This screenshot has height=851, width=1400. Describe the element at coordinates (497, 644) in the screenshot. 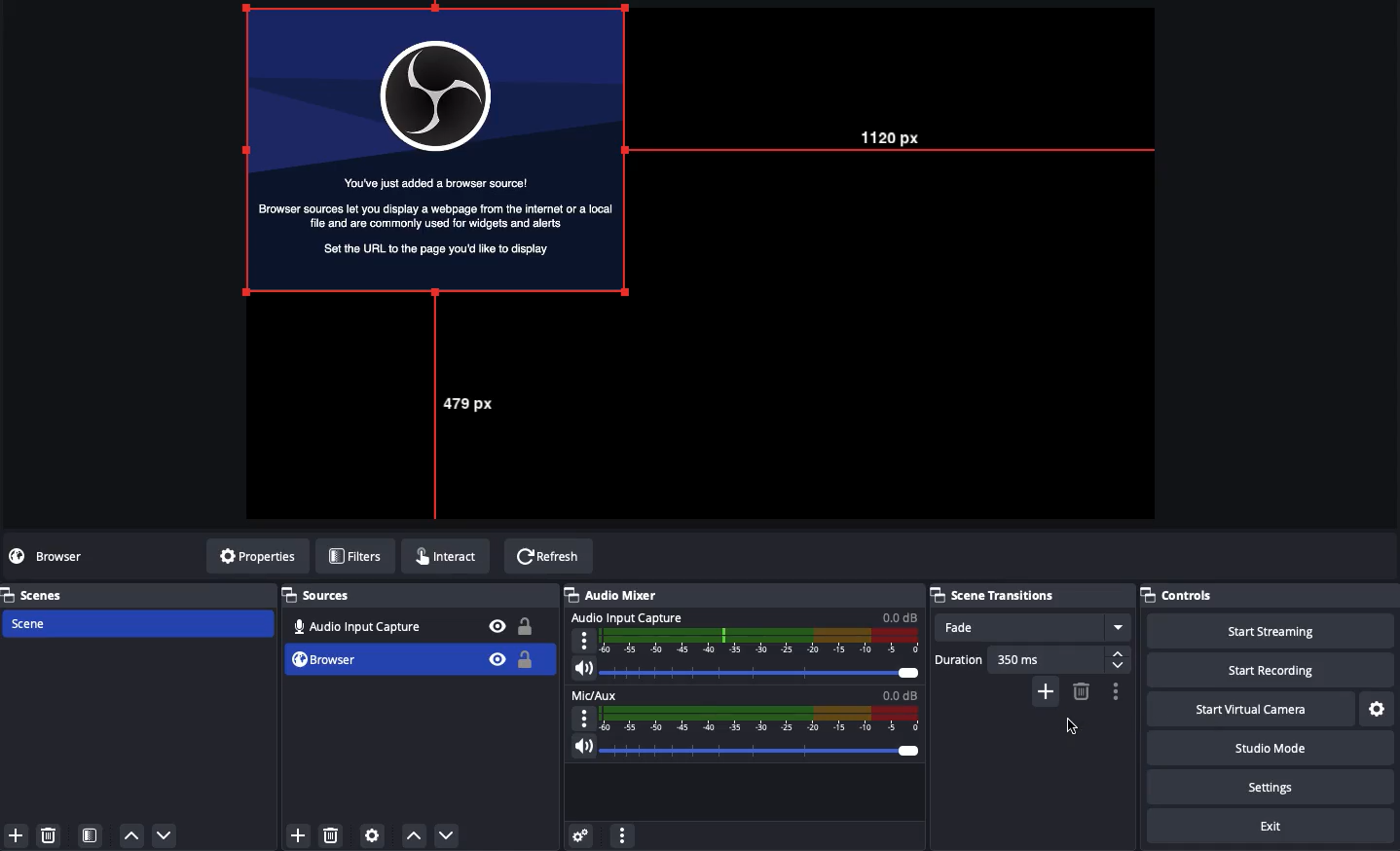

I see `Bible` at that location.